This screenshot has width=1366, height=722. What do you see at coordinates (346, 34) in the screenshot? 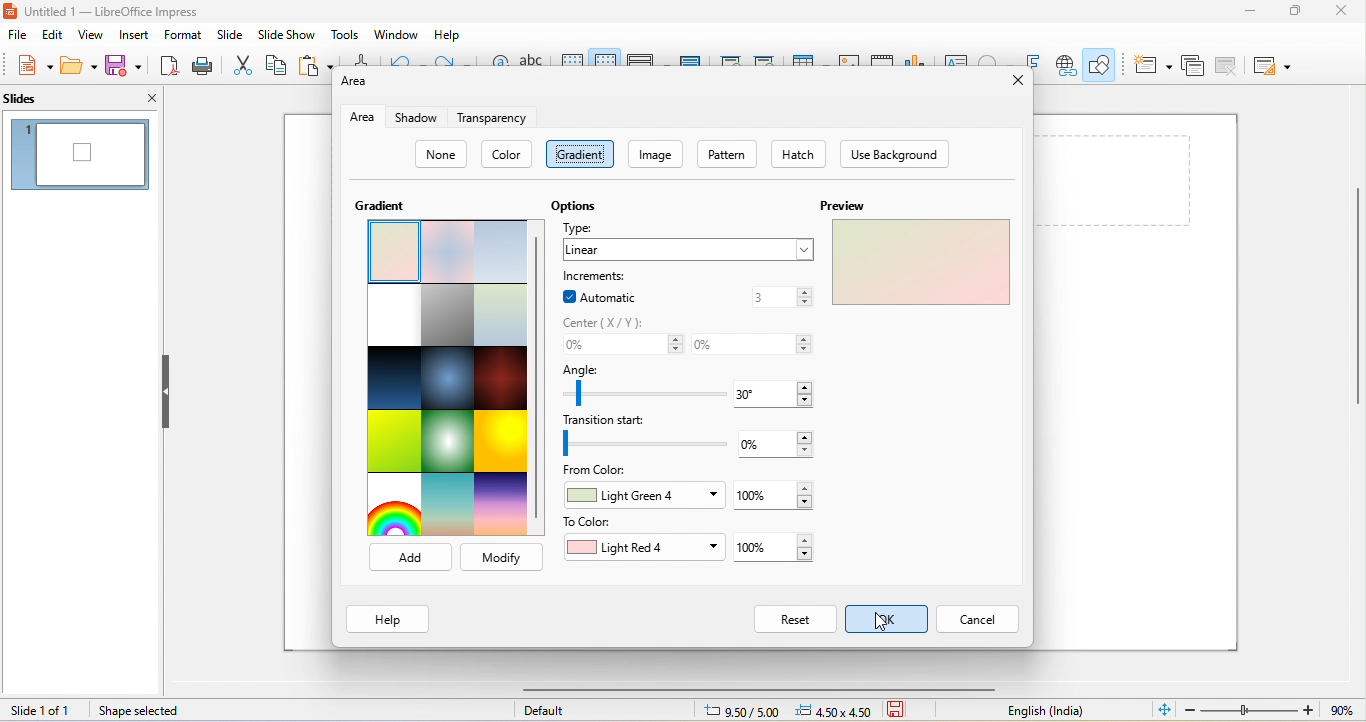
I see `tools` at bounding box center [346, 34].